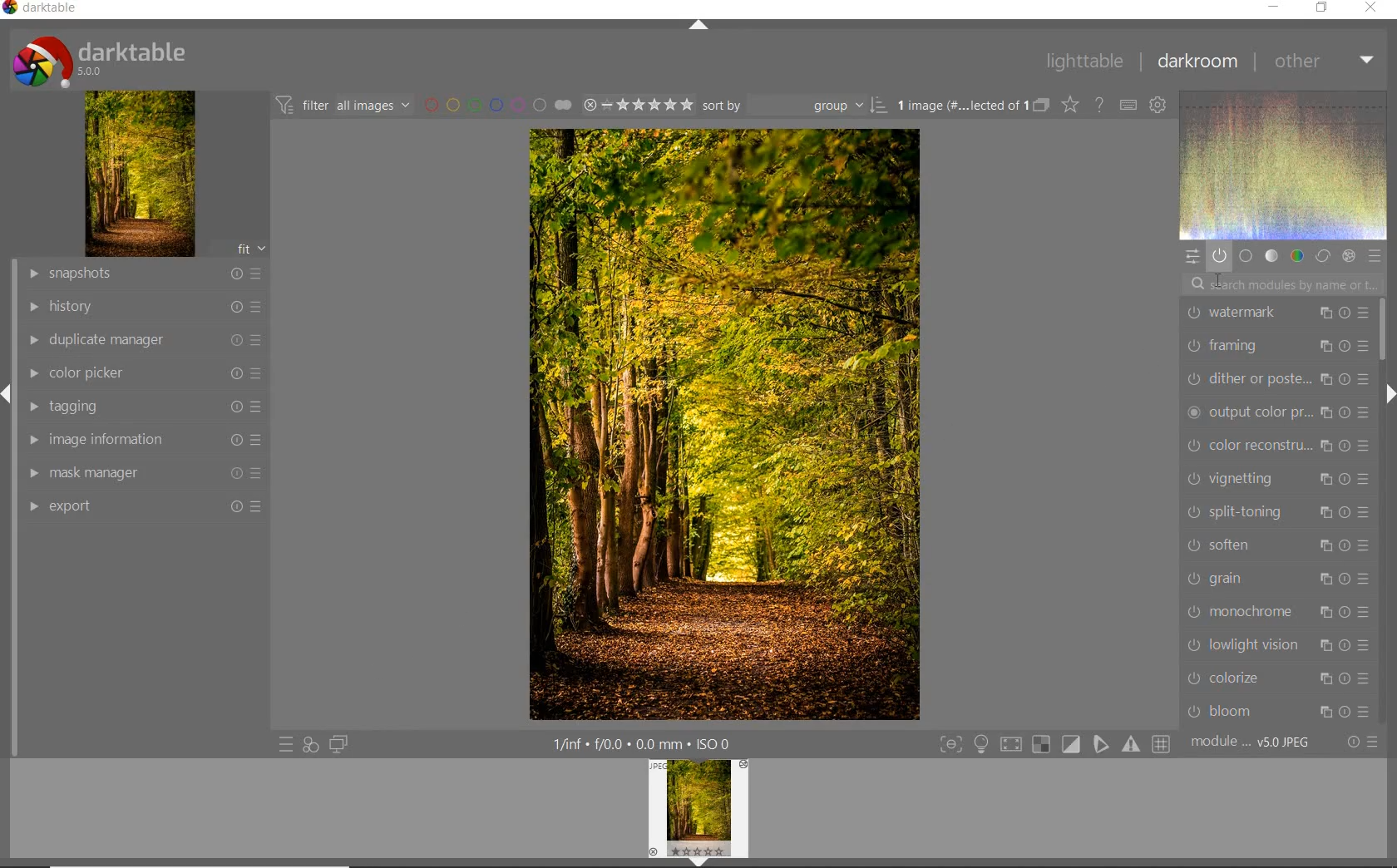 The image size is (1397, 868). What do you see at coordinates (1275, 547) in the screenshot?
I see `soften` at bounding box center [1275, 547].